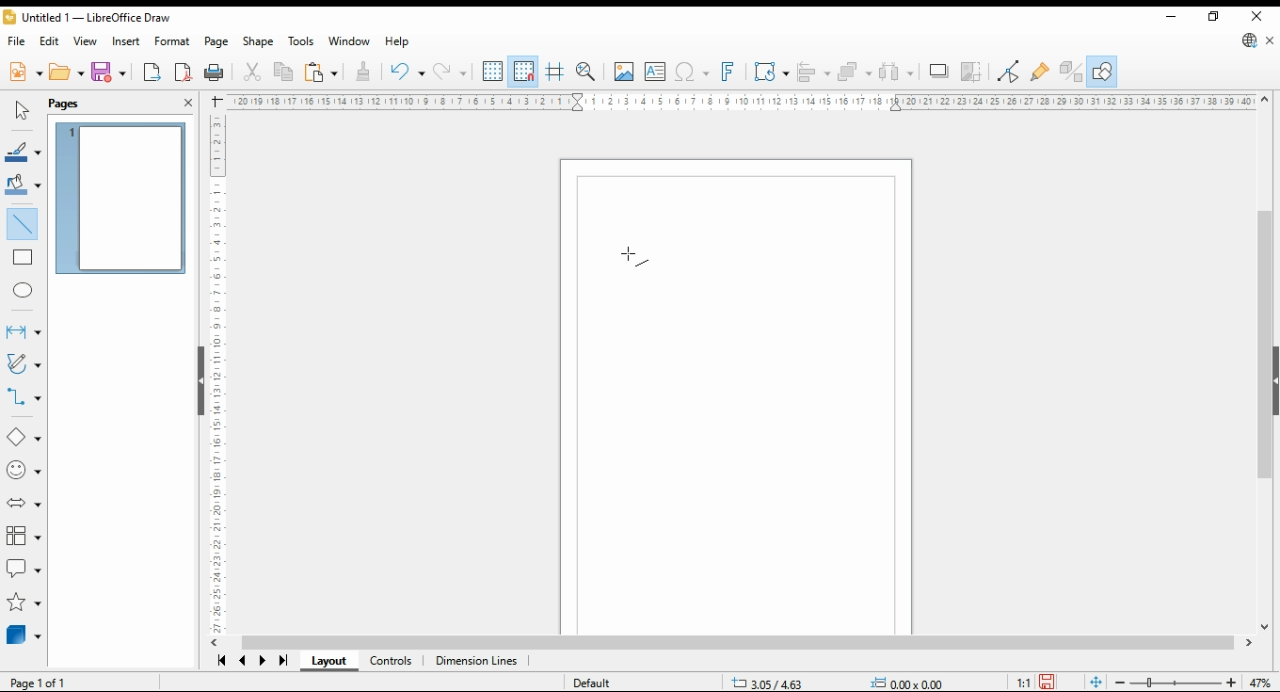  What do you see at coordinates (328, 662) in the screenshot?
I see `layout` at bounding box center [328, 662].